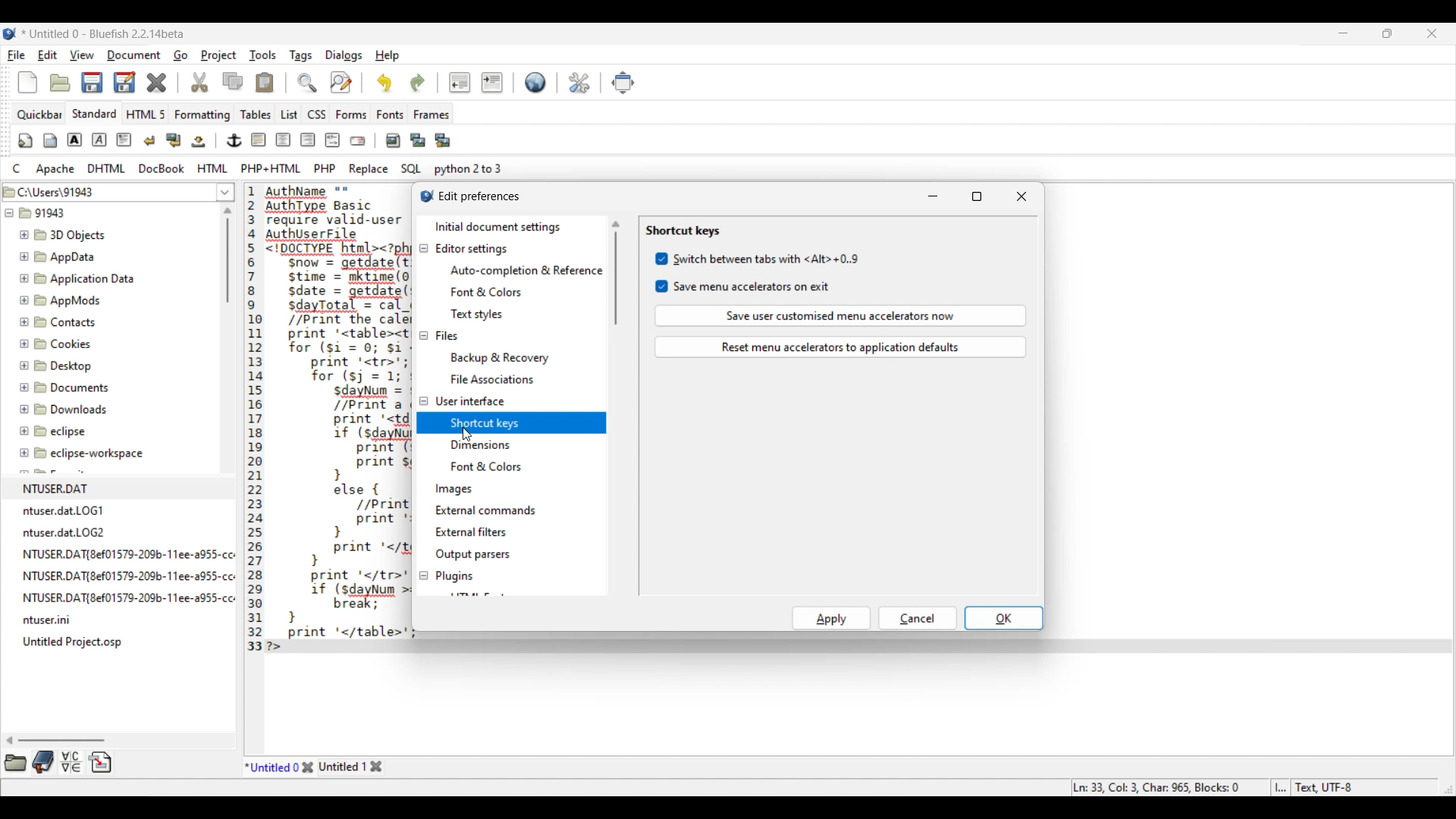 The image size is (1456, 819). I want to click on Documents, so click(68, 388).